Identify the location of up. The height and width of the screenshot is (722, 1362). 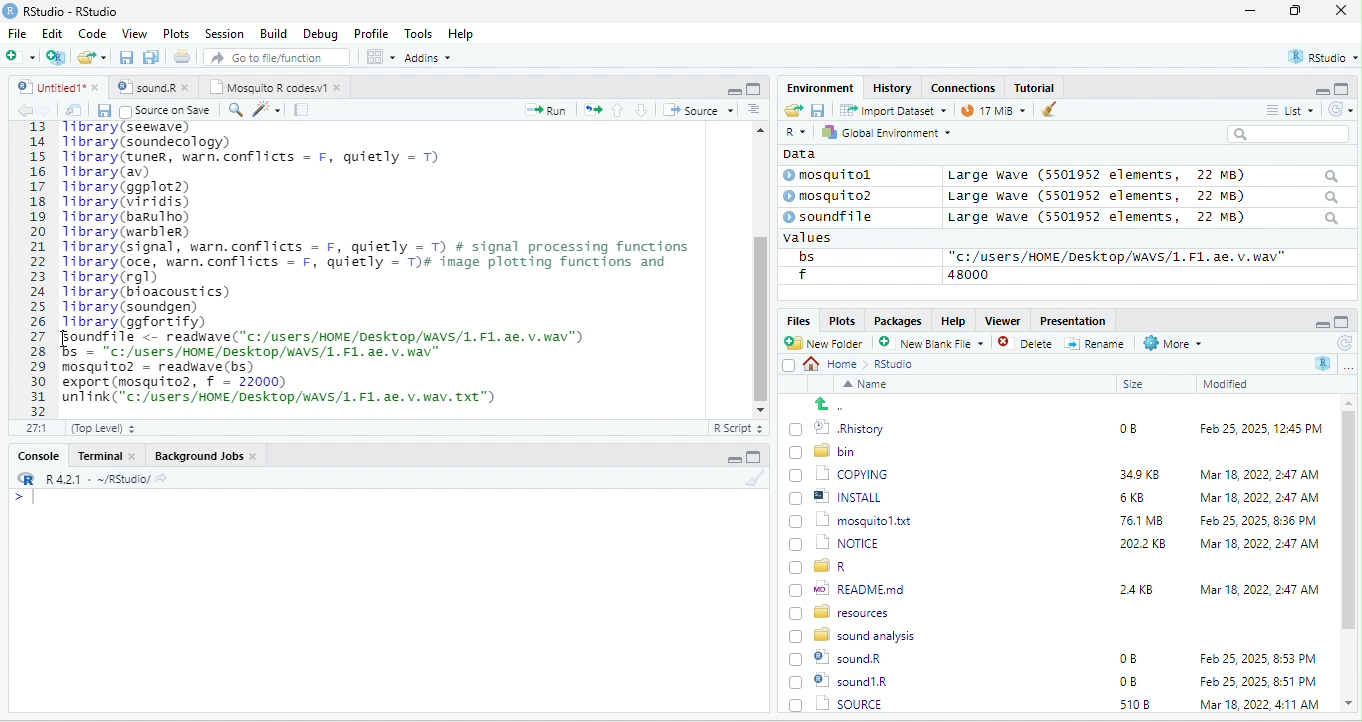
(619, 109).